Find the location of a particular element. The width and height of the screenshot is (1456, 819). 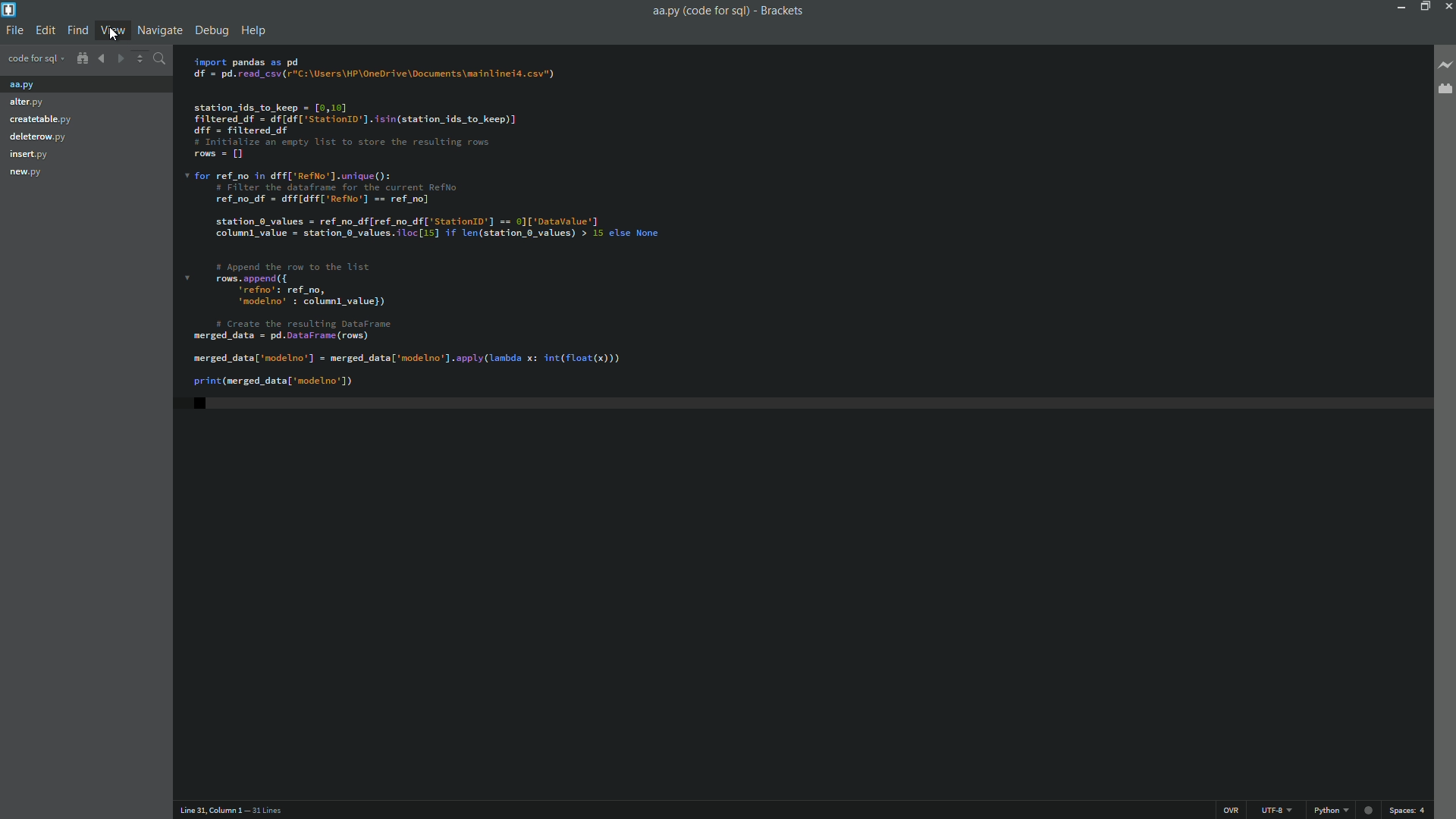

ins is located at coordinates (1232, 810).